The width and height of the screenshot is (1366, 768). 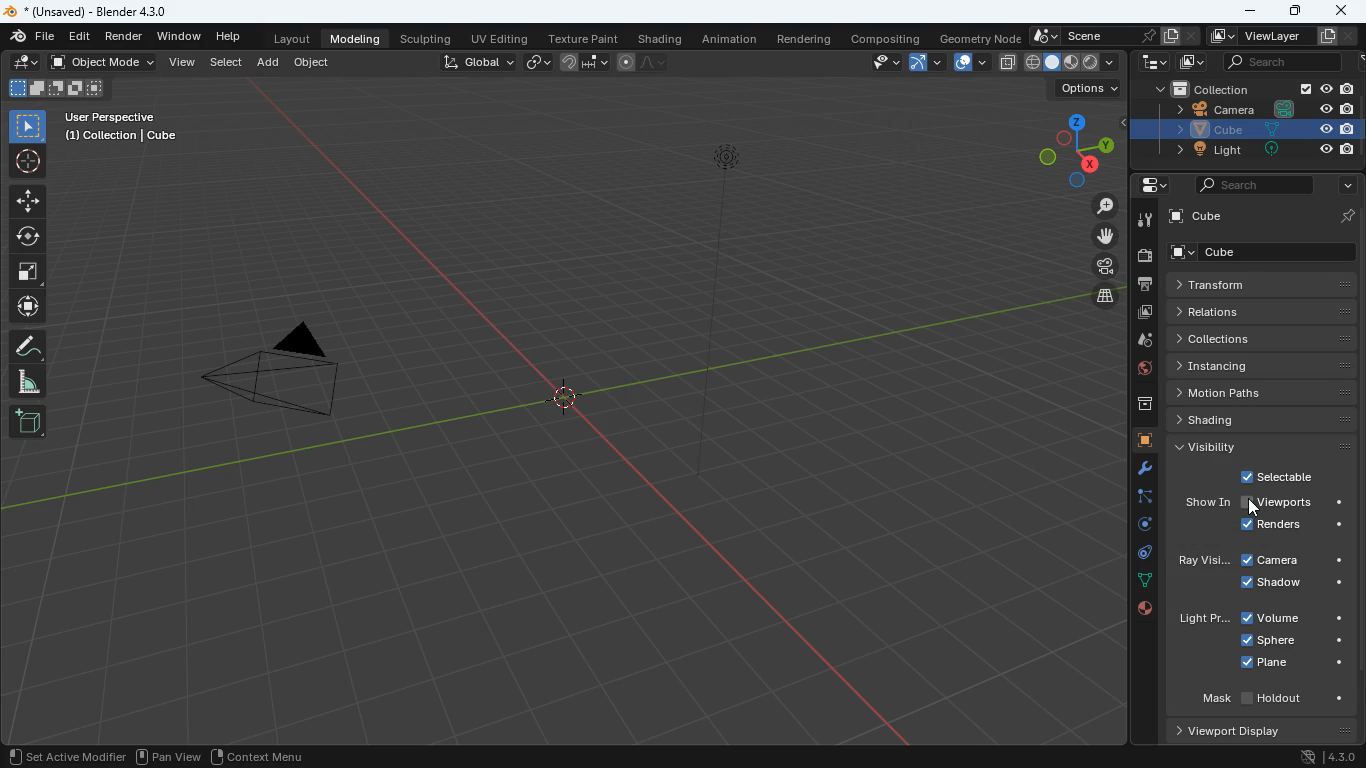 I want to click on add, so click(x=27, y=421).